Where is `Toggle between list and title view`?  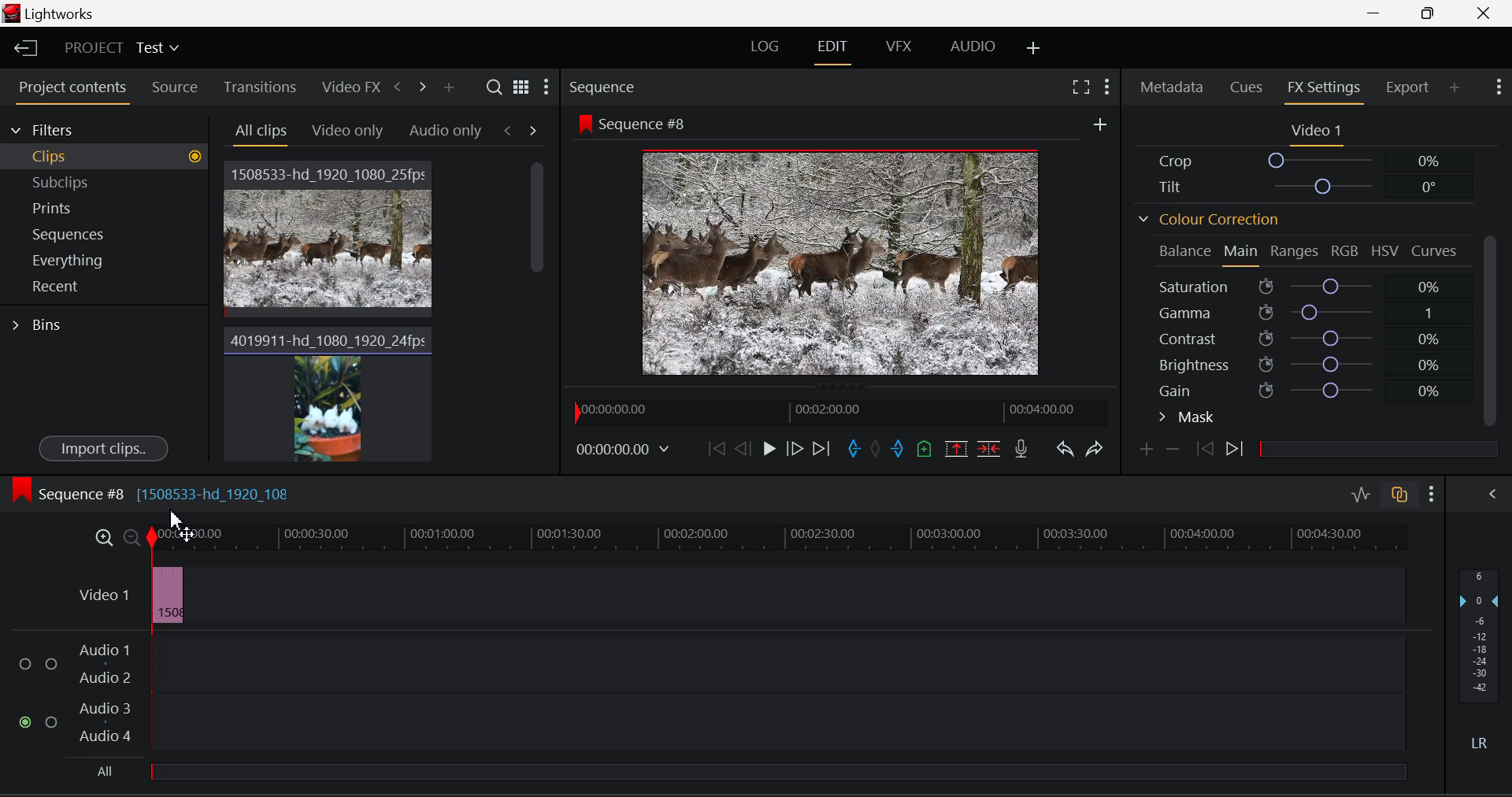 Toggle between list and title view is located at coordinates (523, 87).